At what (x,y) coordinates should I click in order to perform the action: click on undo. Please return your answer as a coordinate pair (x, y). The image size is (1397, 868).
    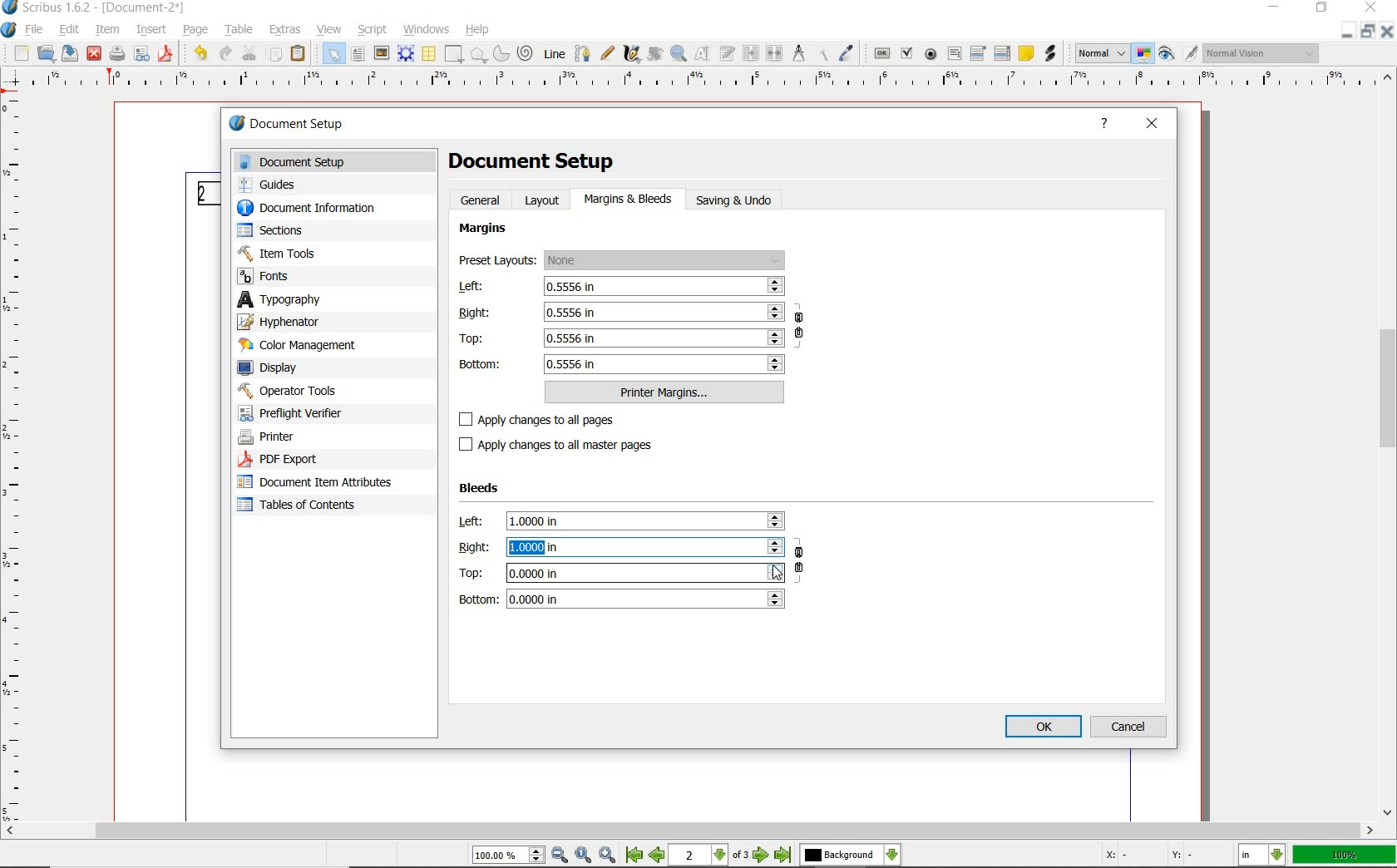
    Looking at the image, I should click on (198, 53).